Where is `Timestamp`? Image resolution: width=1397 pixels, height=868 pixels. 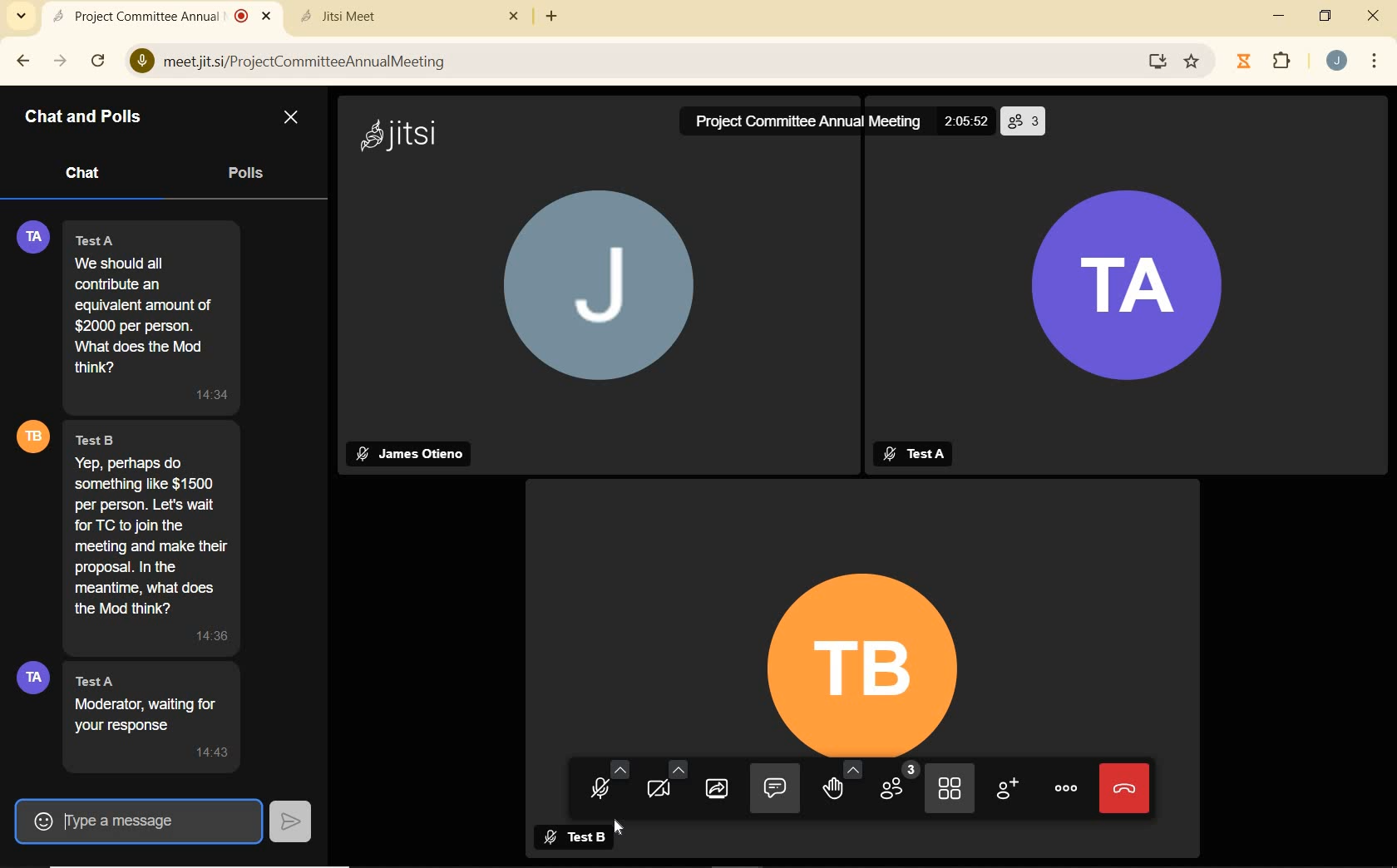
Timestamp is located at coordinates (200, 639).